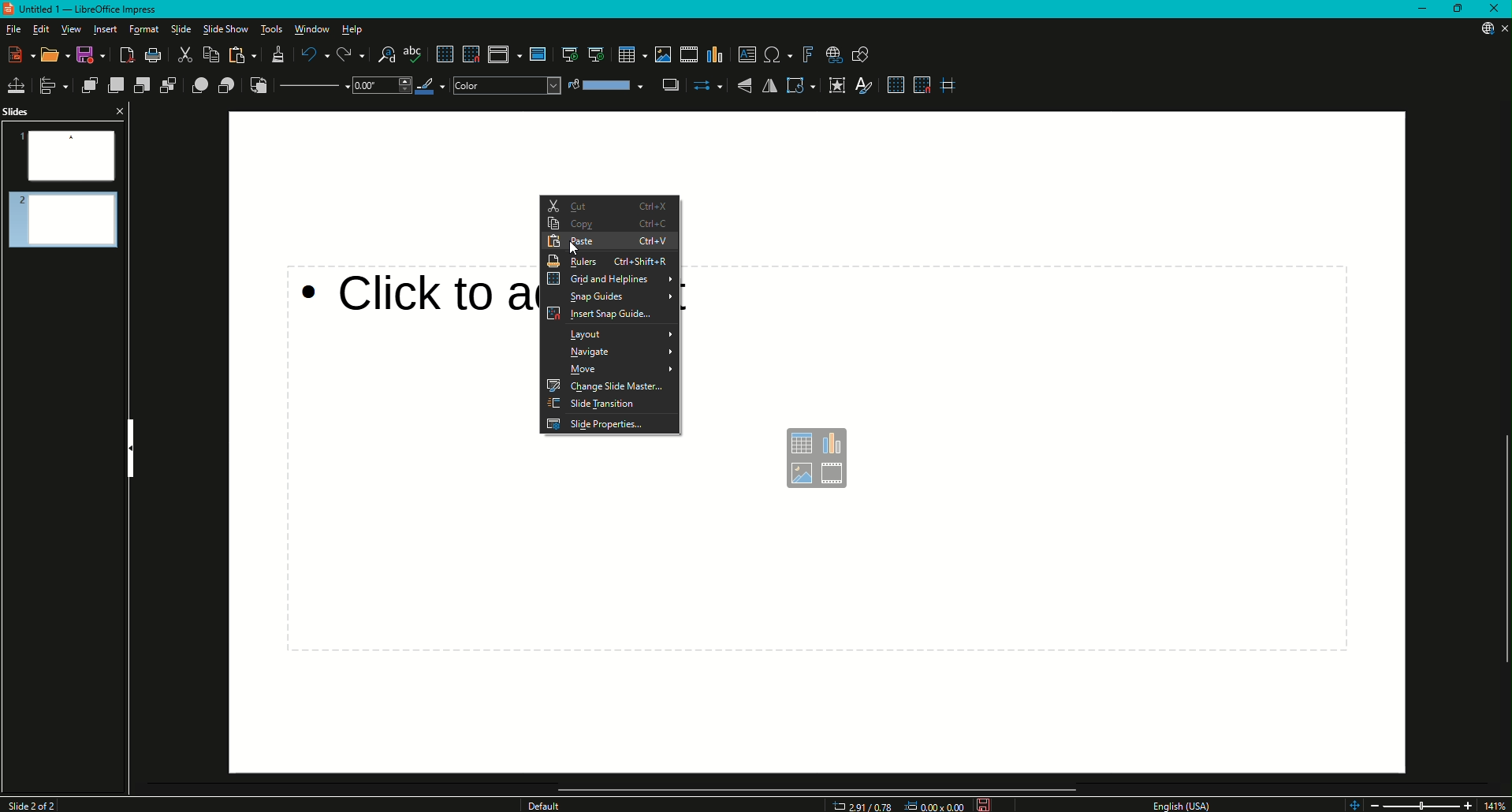 This screenshot has height=812, width=1512. Describe the element at coordinates (224, 86) in the screenshot. I see `Behind Object` at that location.